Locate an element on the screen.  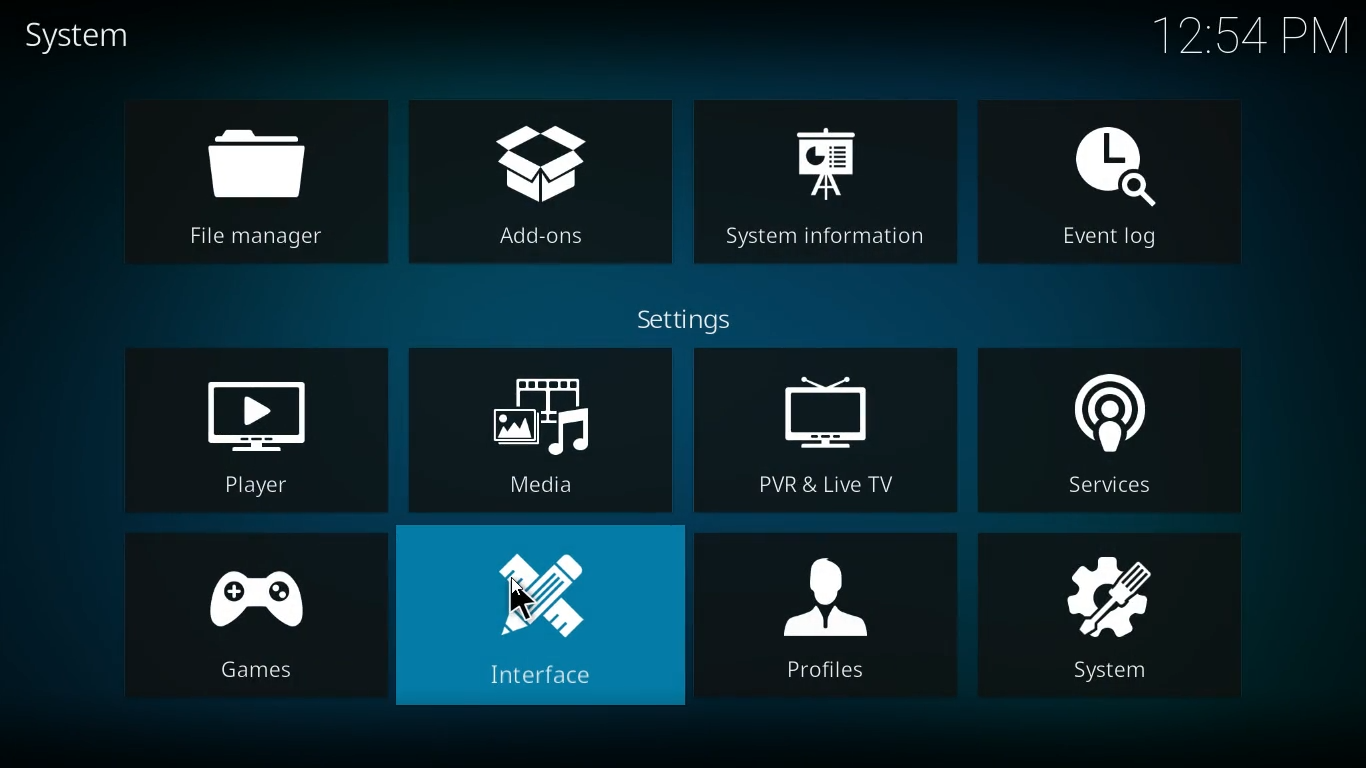
system information is located at coordinates (828, 184).